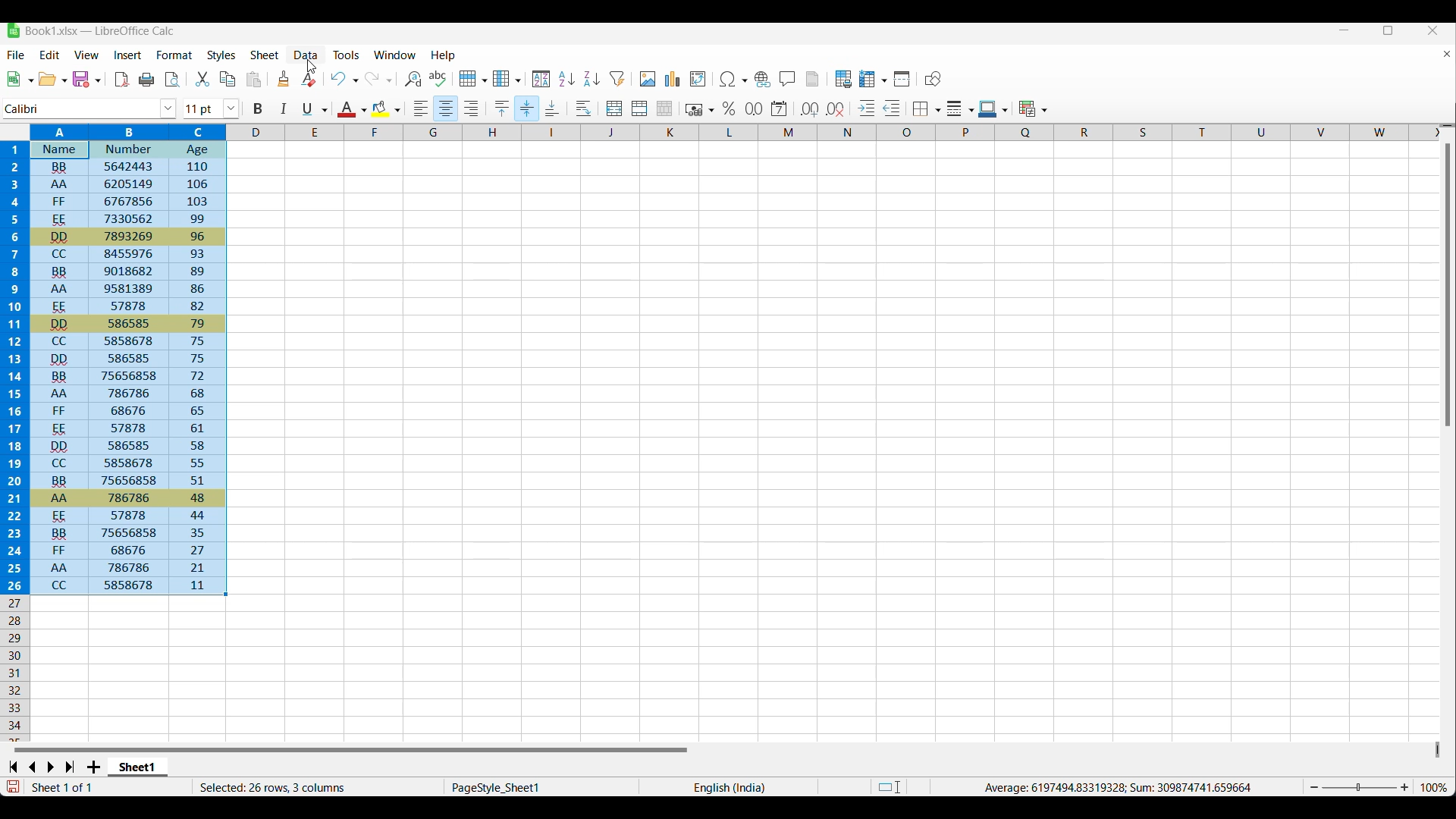  I want to click on Cut, so click(202, 79).